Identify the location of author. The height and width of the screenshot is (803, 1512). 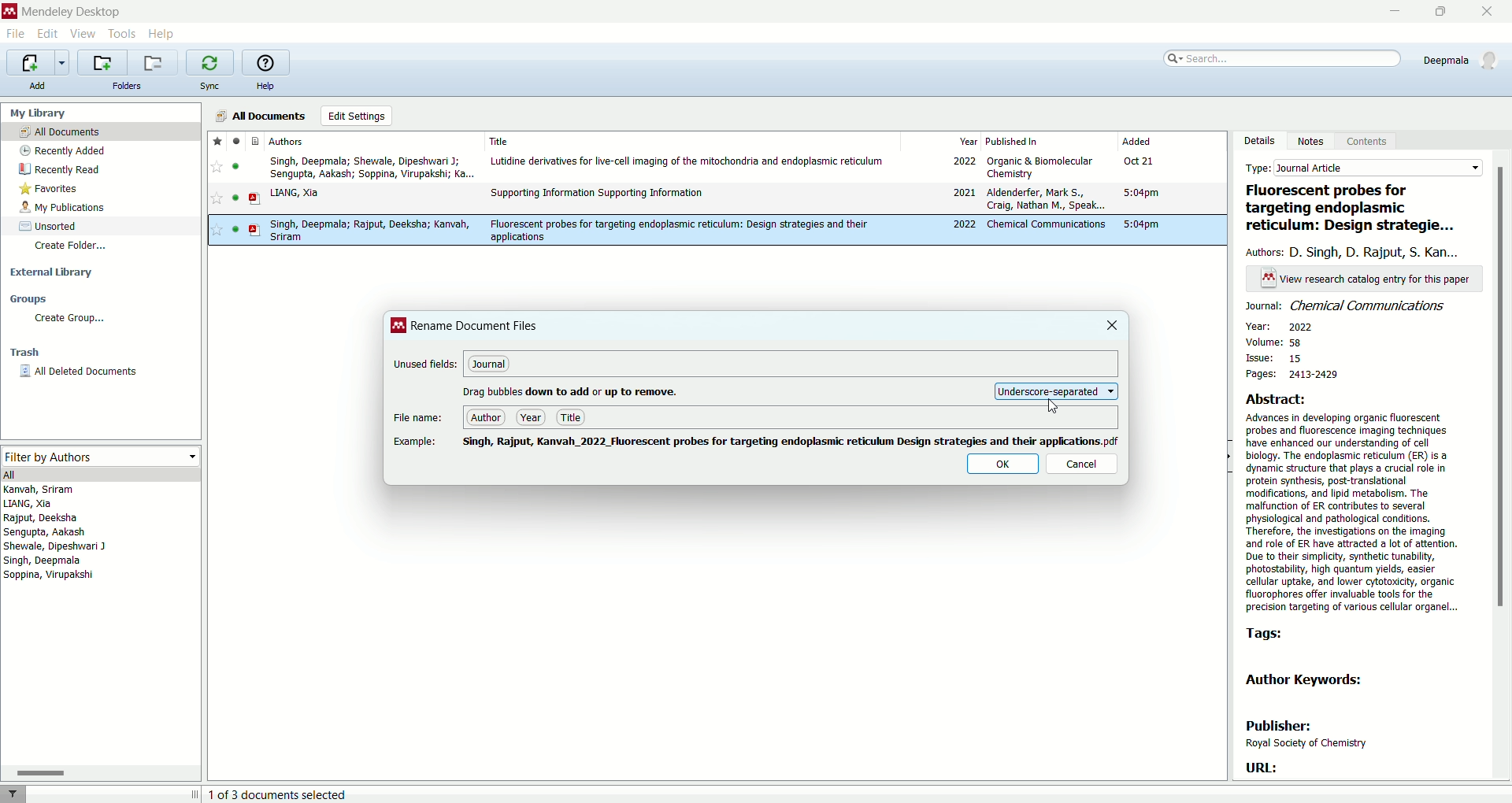
(487, 419).